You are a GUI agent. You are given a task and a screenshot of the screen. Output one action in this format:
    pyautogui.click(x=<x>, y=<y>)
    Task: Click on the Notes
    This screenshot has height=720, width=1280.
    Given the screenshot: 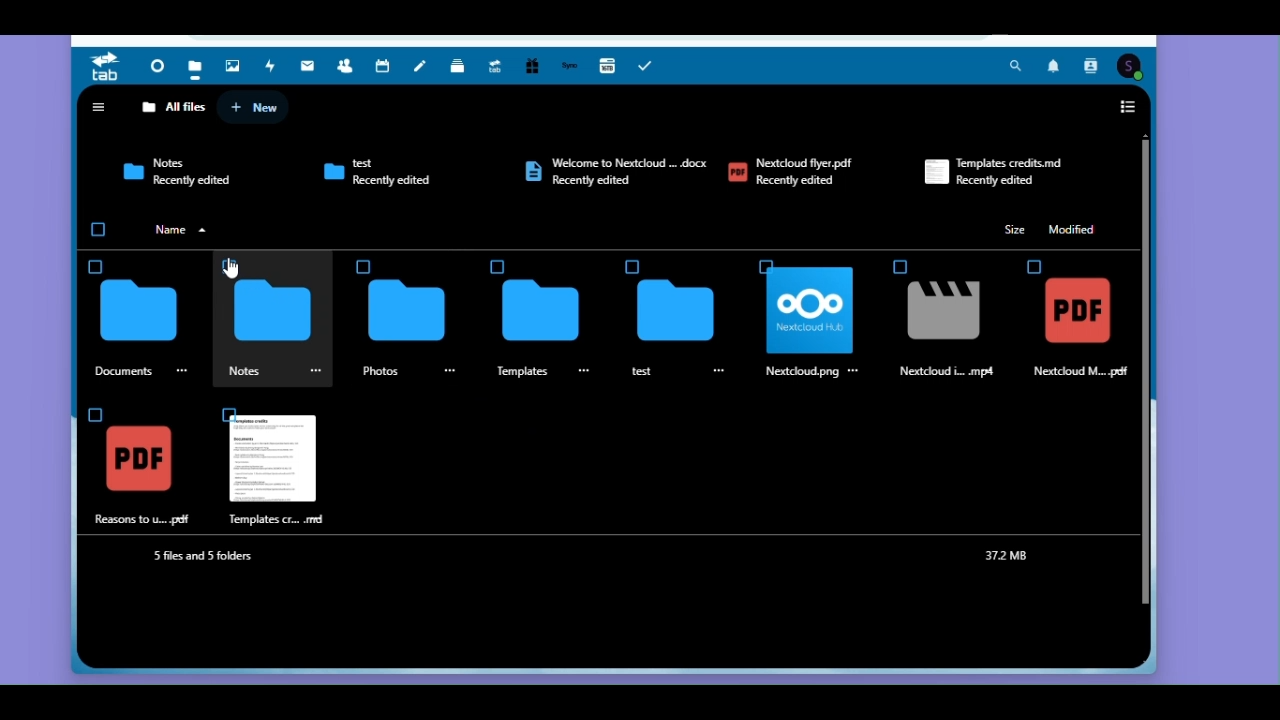 What is the action you would take?
    pyautogui.click(x=246, y=370)
    